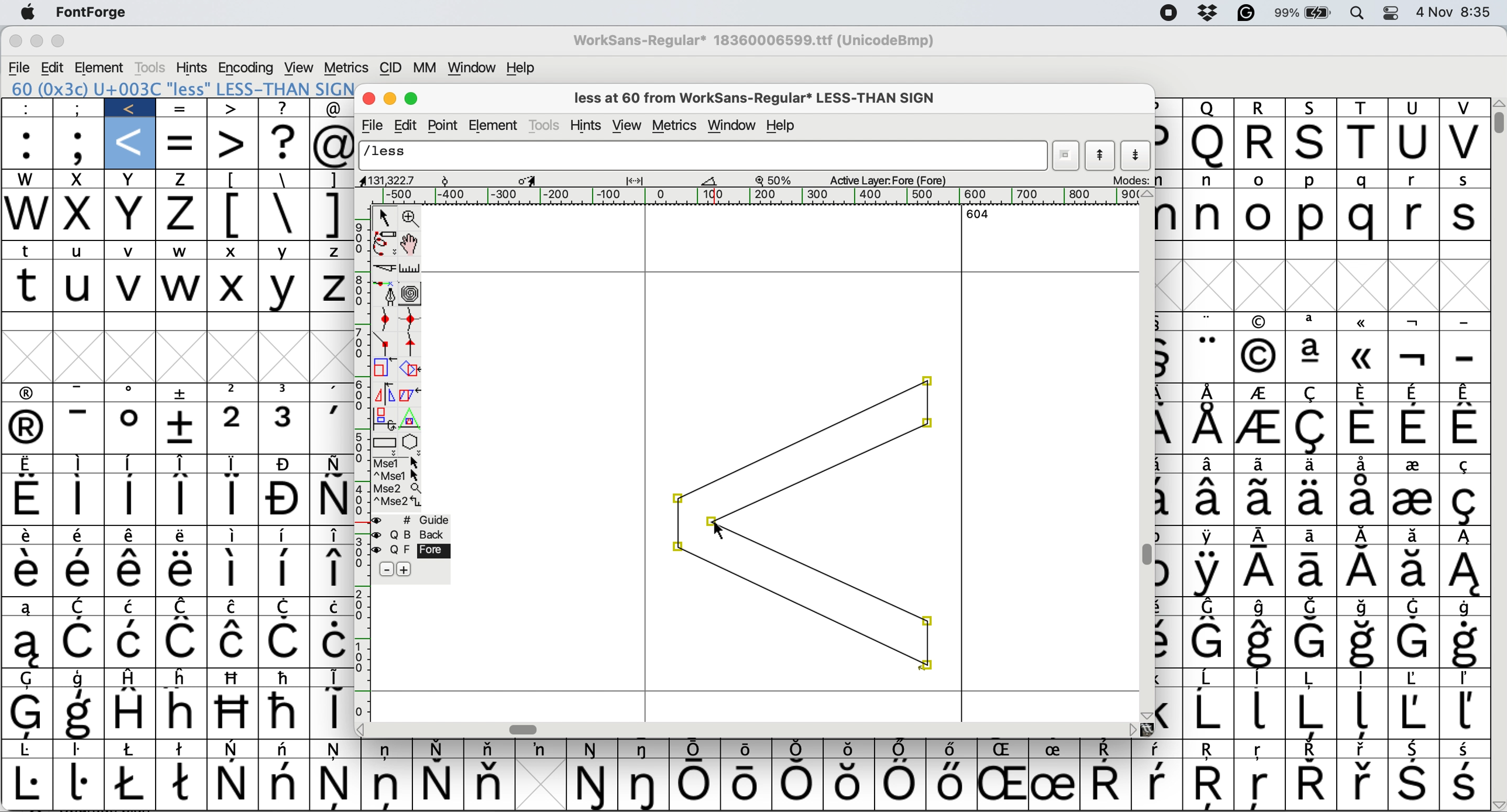  I want to click on Symbol, so click(1260, 749).